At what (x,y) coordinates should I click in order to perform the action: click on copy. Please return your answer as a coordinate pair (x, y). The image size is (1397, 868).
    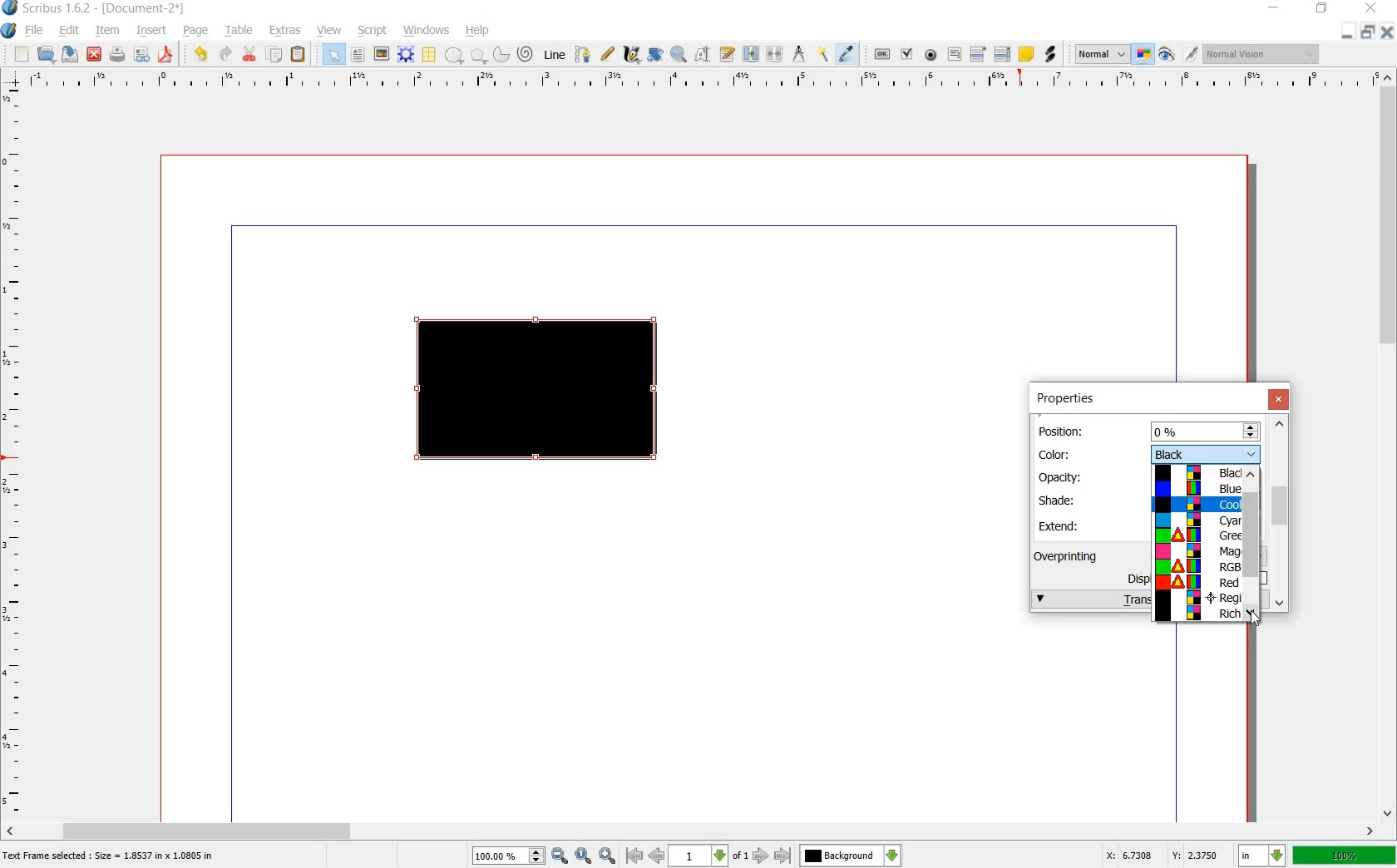
    Looking at the image, I should click on (275, 55).